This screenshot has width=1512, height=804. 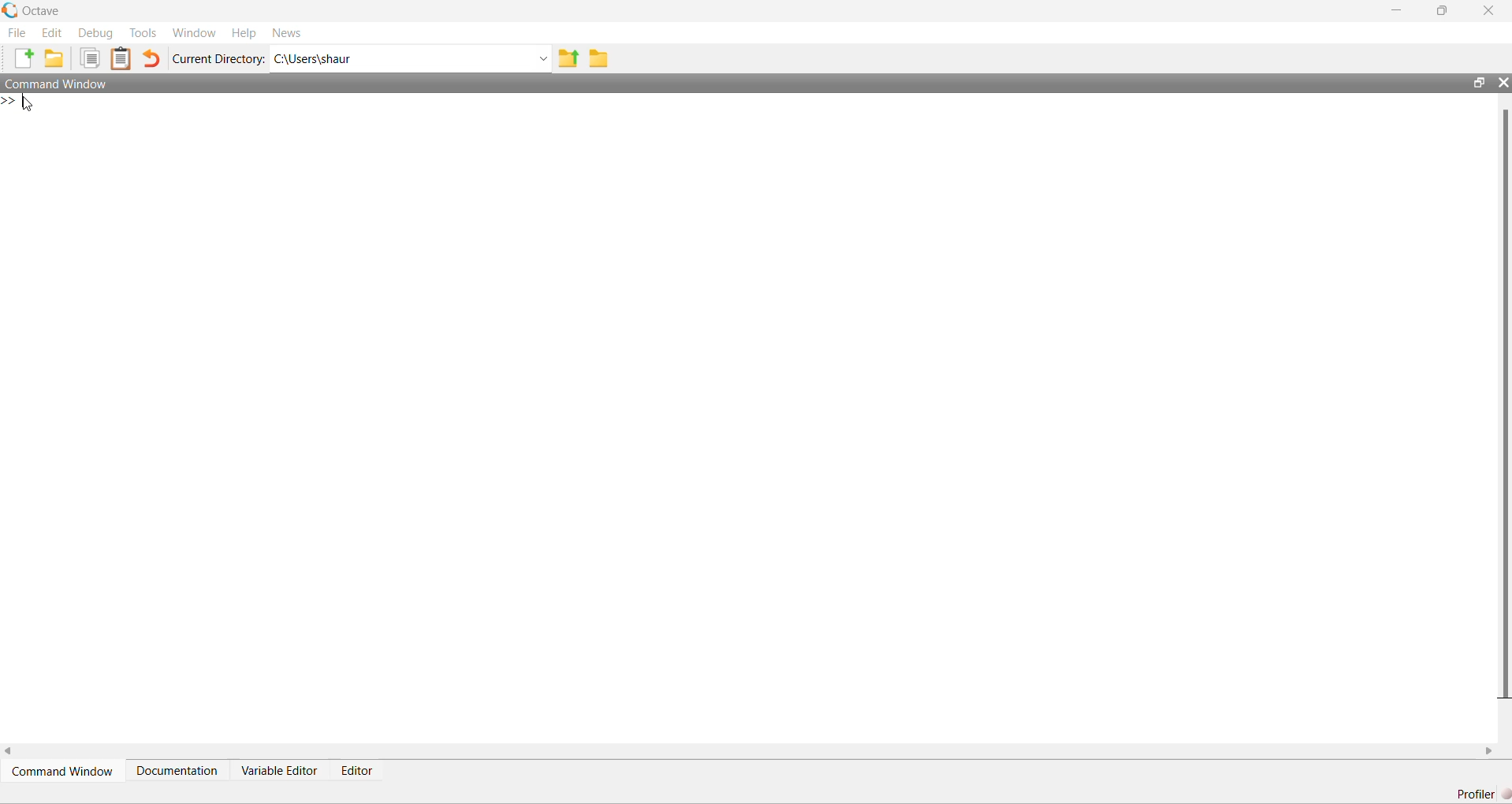 I want to click on Edit, so click(x=52, y=33).